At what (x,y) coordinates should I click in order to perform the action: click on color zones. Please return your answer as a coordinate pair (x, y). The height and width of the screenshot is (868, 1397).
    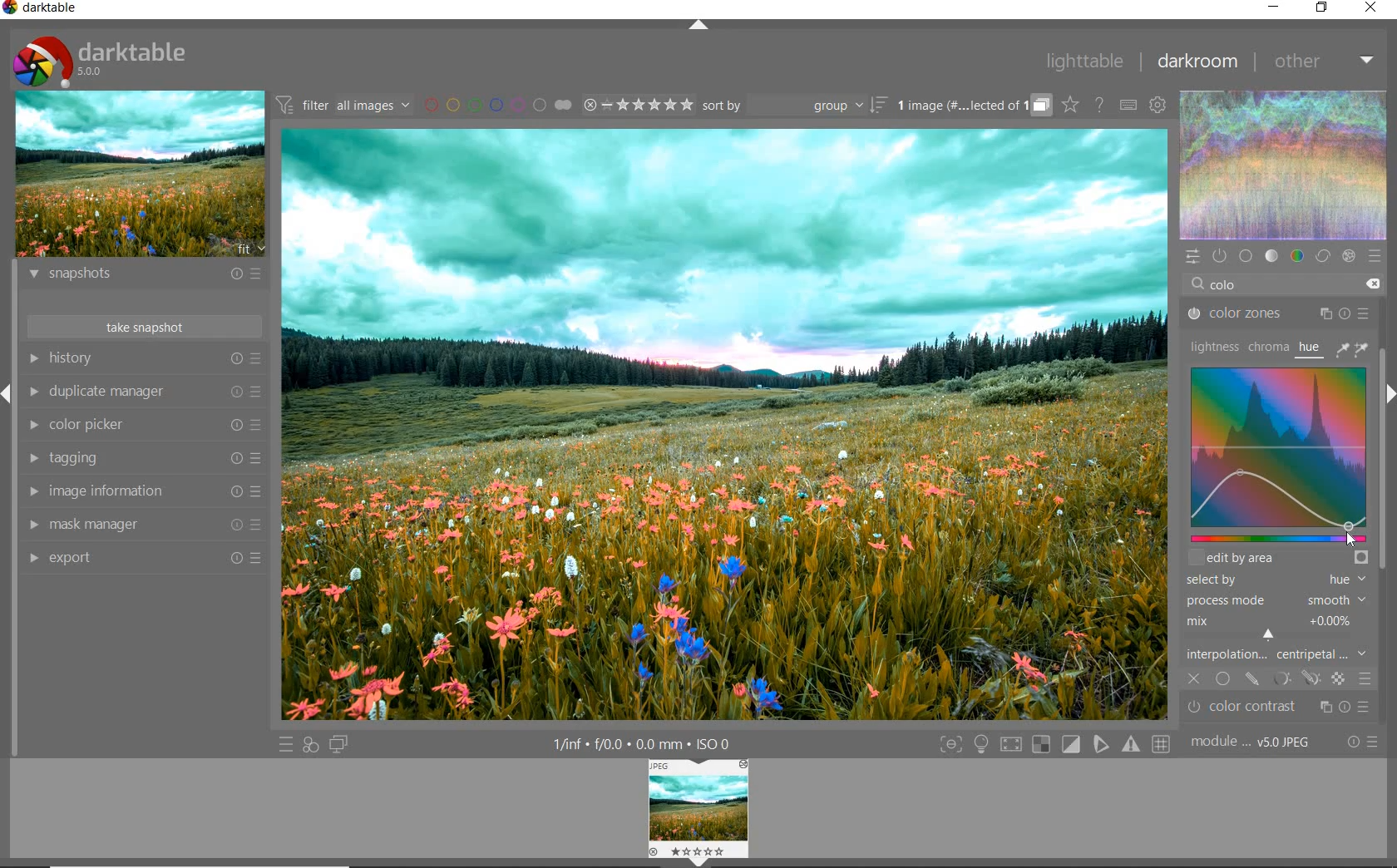
    Looking at the image, I should click on (1279, 316).